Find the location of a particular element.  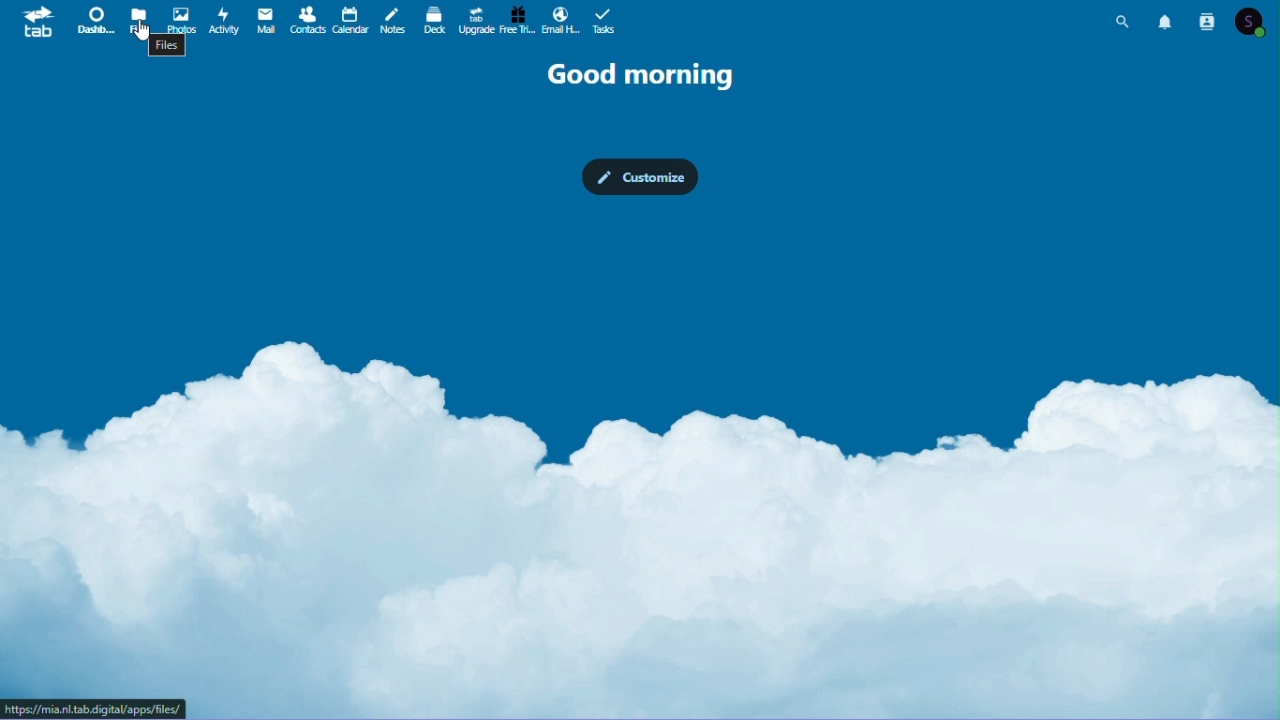

upgrade is located at coordinates (474, 19).